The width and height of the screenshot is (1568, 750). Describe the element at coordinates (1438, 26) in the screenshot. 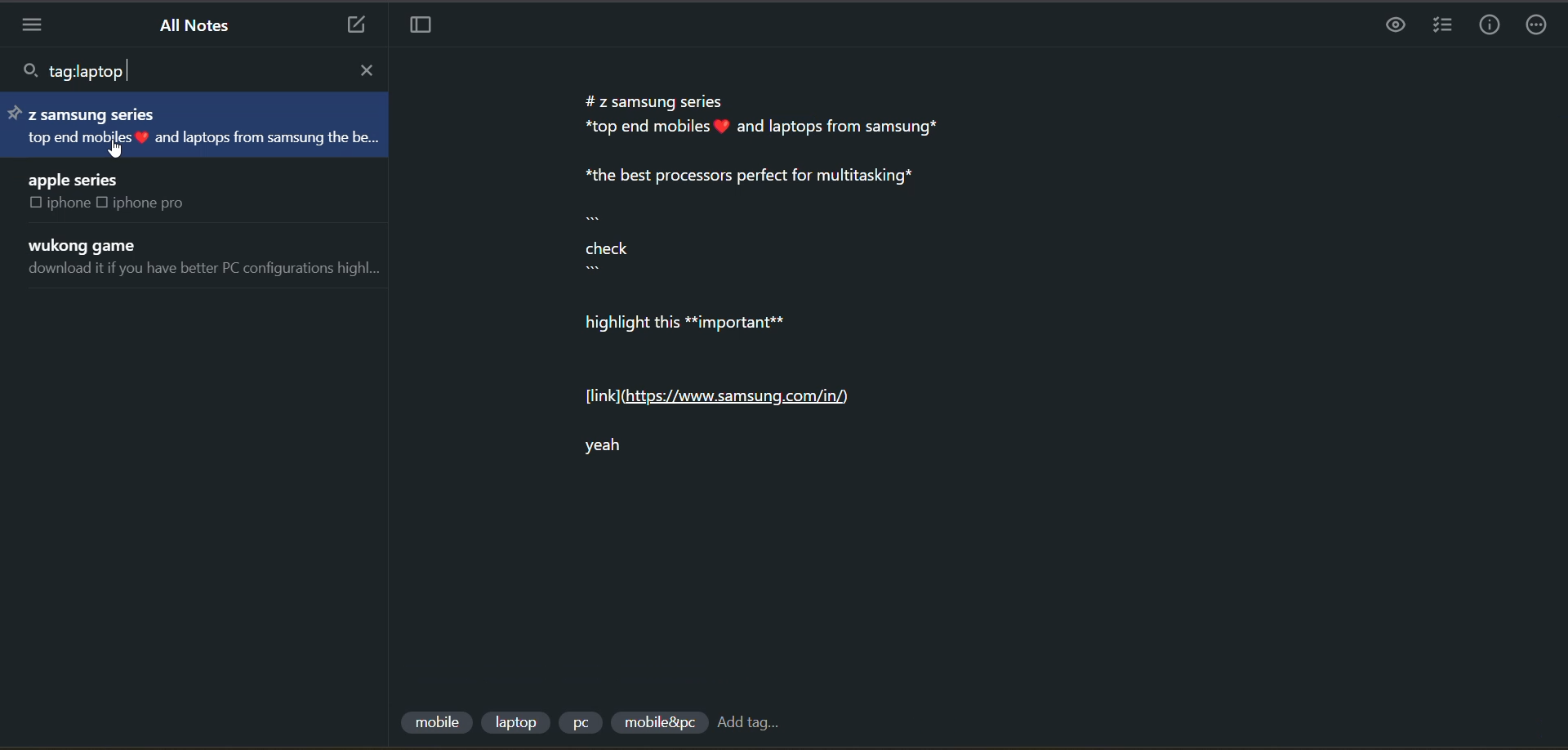

I see `insert checklist` at that location.